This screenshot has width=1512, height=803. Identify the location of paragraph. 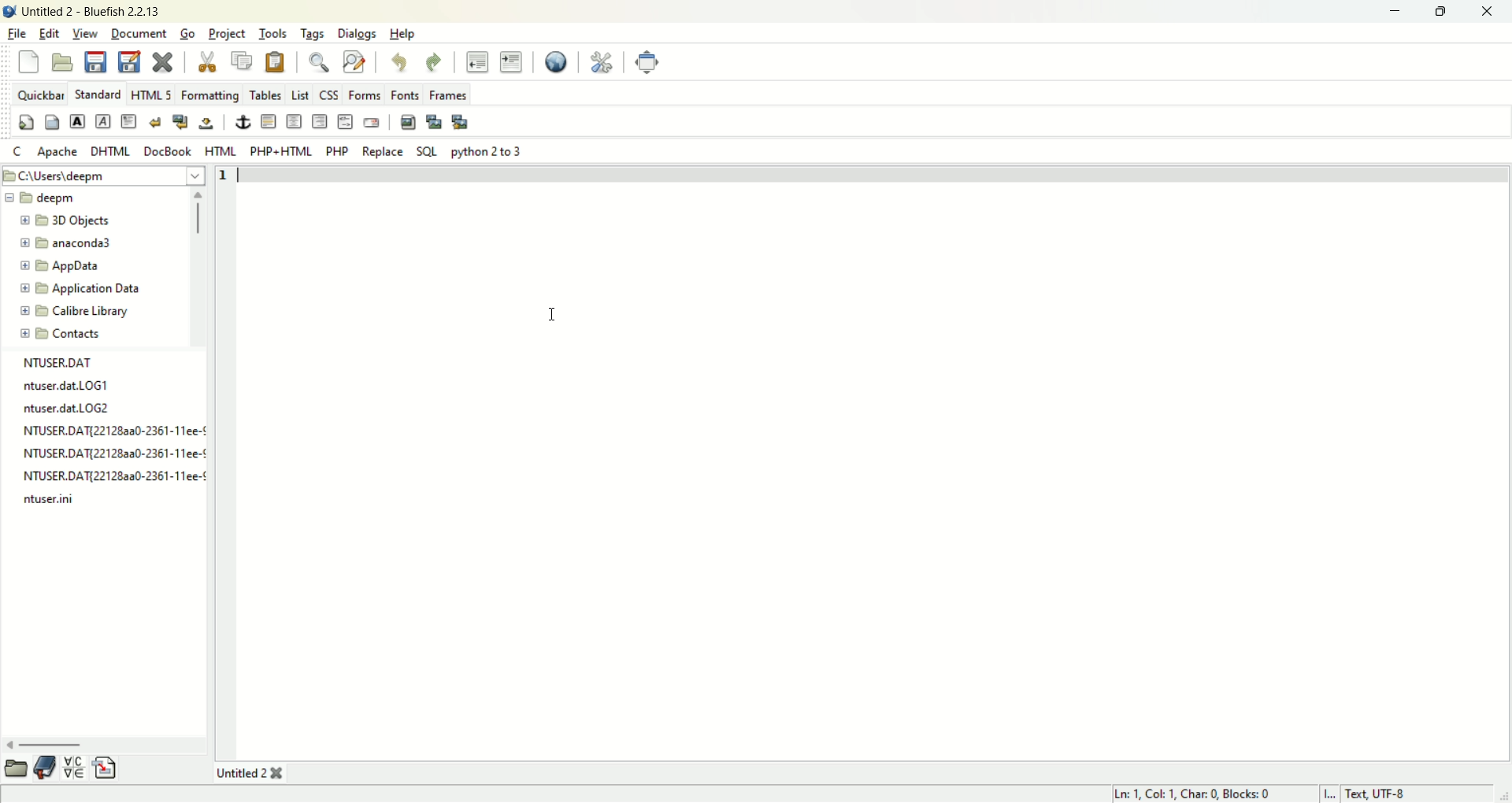
(130, 120).